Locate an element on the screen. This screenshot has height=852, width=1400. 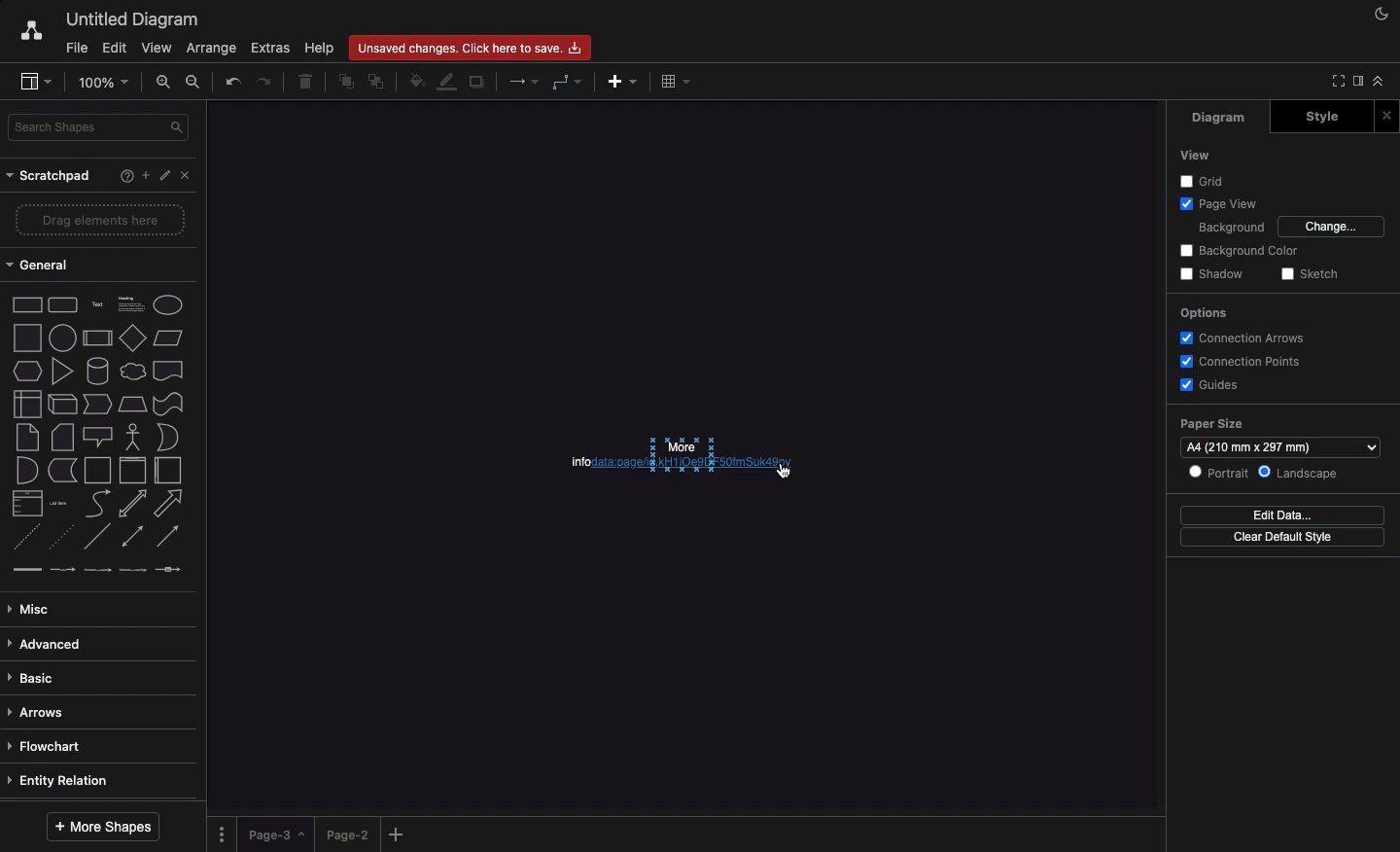
connector with 2 labels is located at coordinates (97, 570).